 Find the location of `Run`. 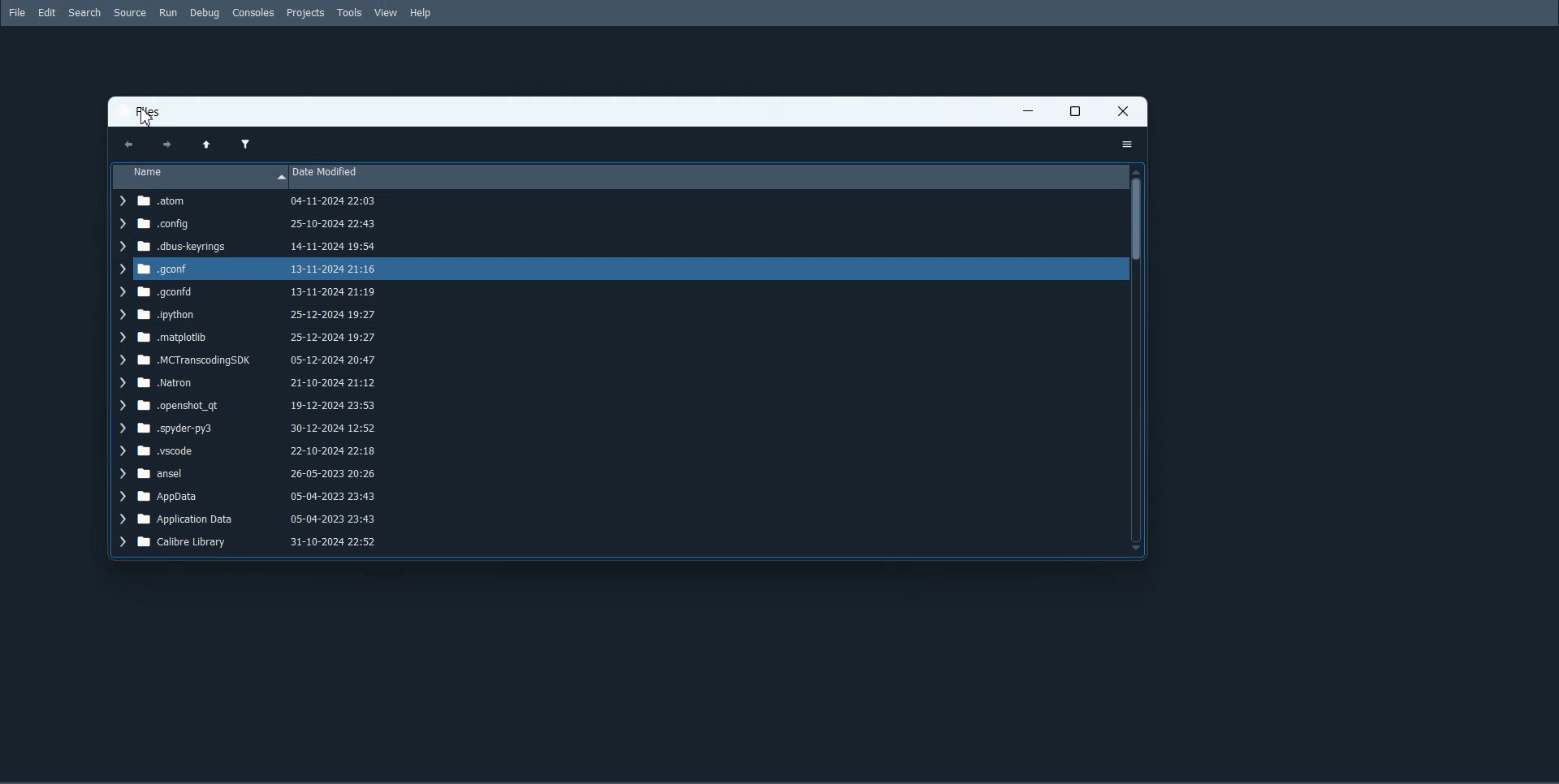

Run is located at coordinates (168, 13).